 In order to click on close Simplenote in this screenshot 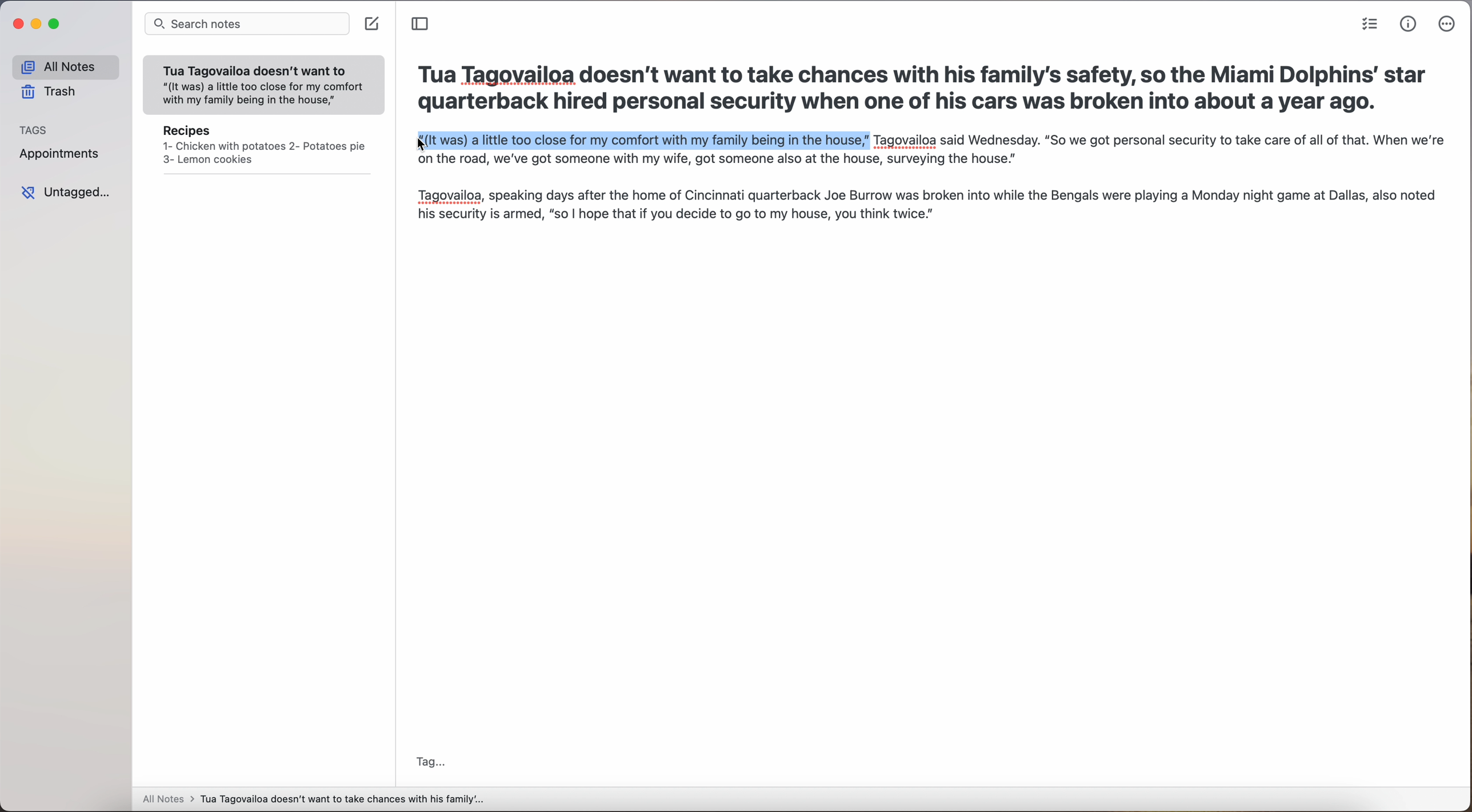, I will do `click(17, 24)`.